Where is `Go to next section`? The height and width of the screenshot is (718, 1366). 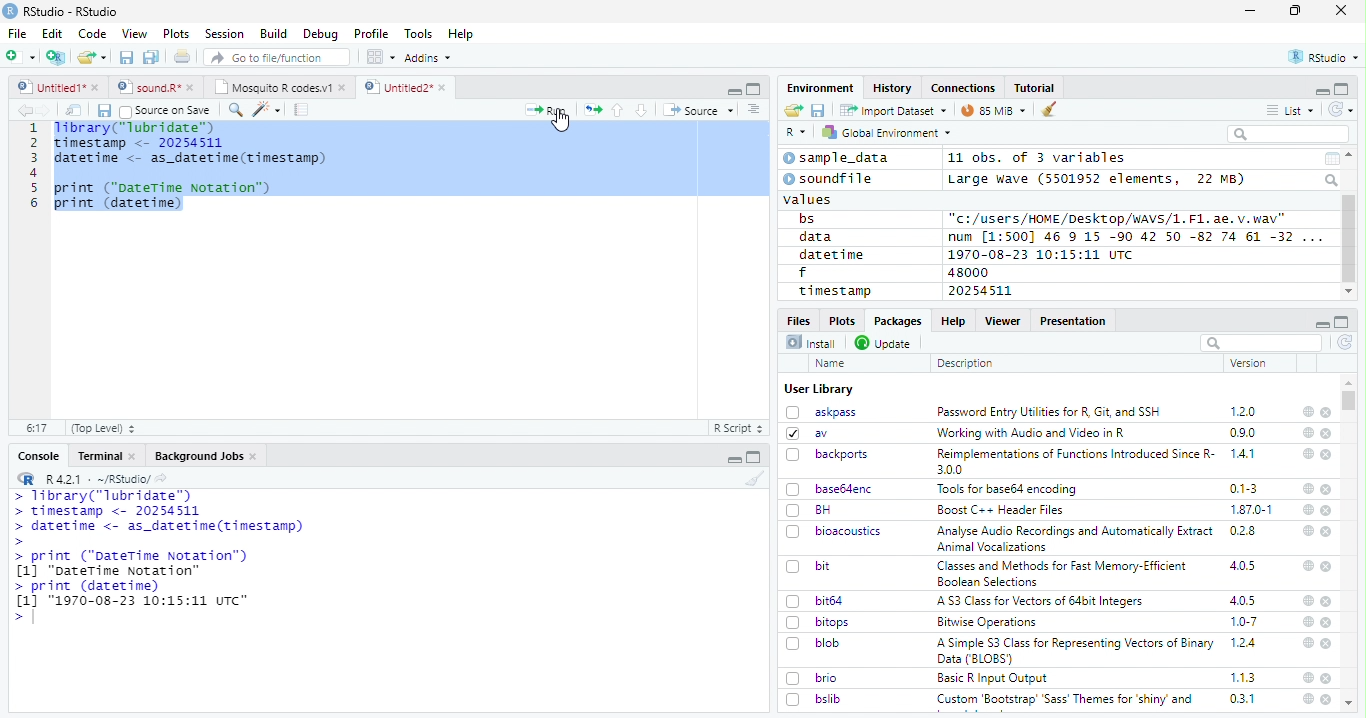 Go to next section is located at coordinates (644, 110).